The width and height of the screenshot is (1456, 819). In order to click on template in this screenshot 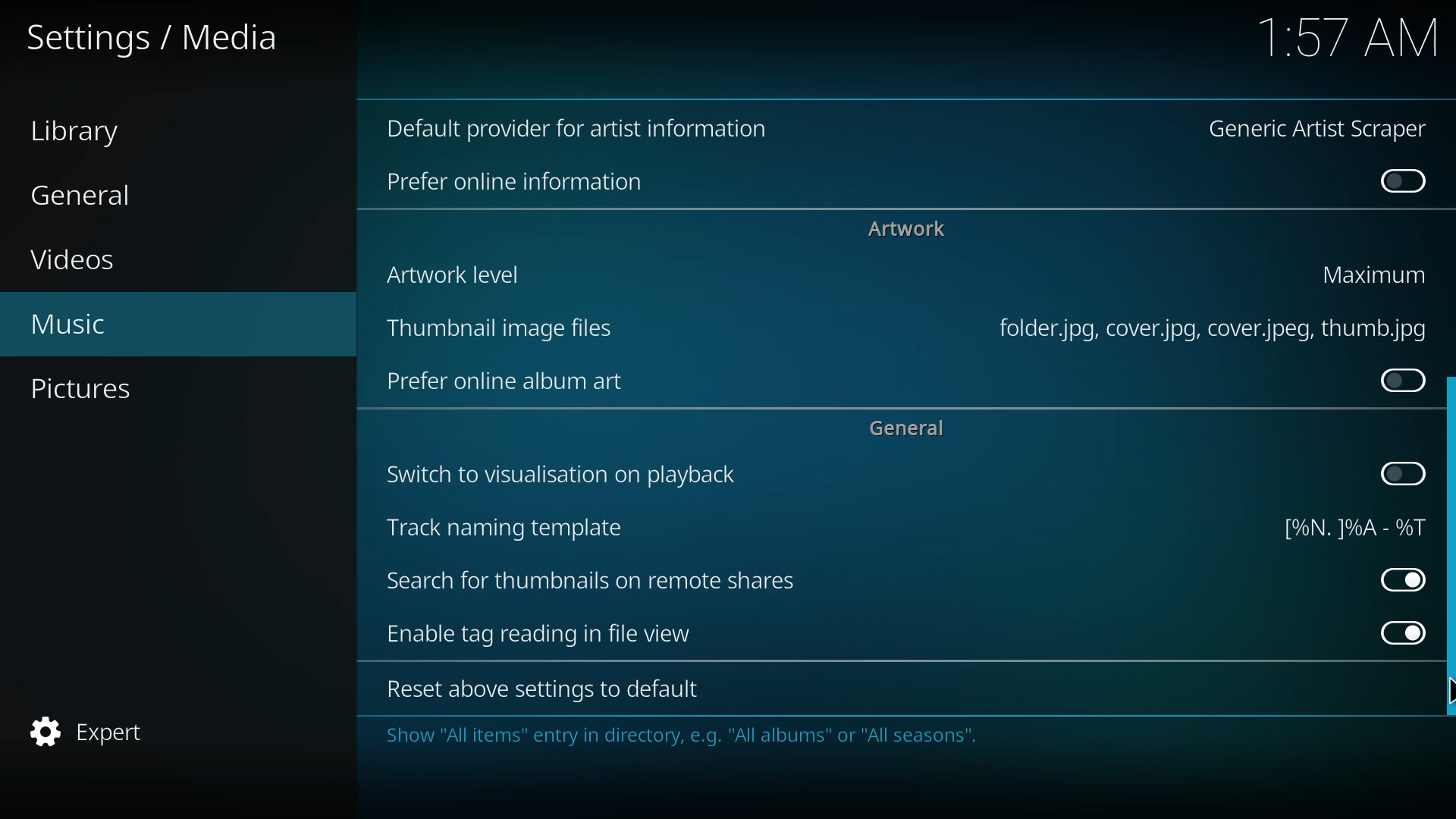, I will do `click(1349, 526)`.